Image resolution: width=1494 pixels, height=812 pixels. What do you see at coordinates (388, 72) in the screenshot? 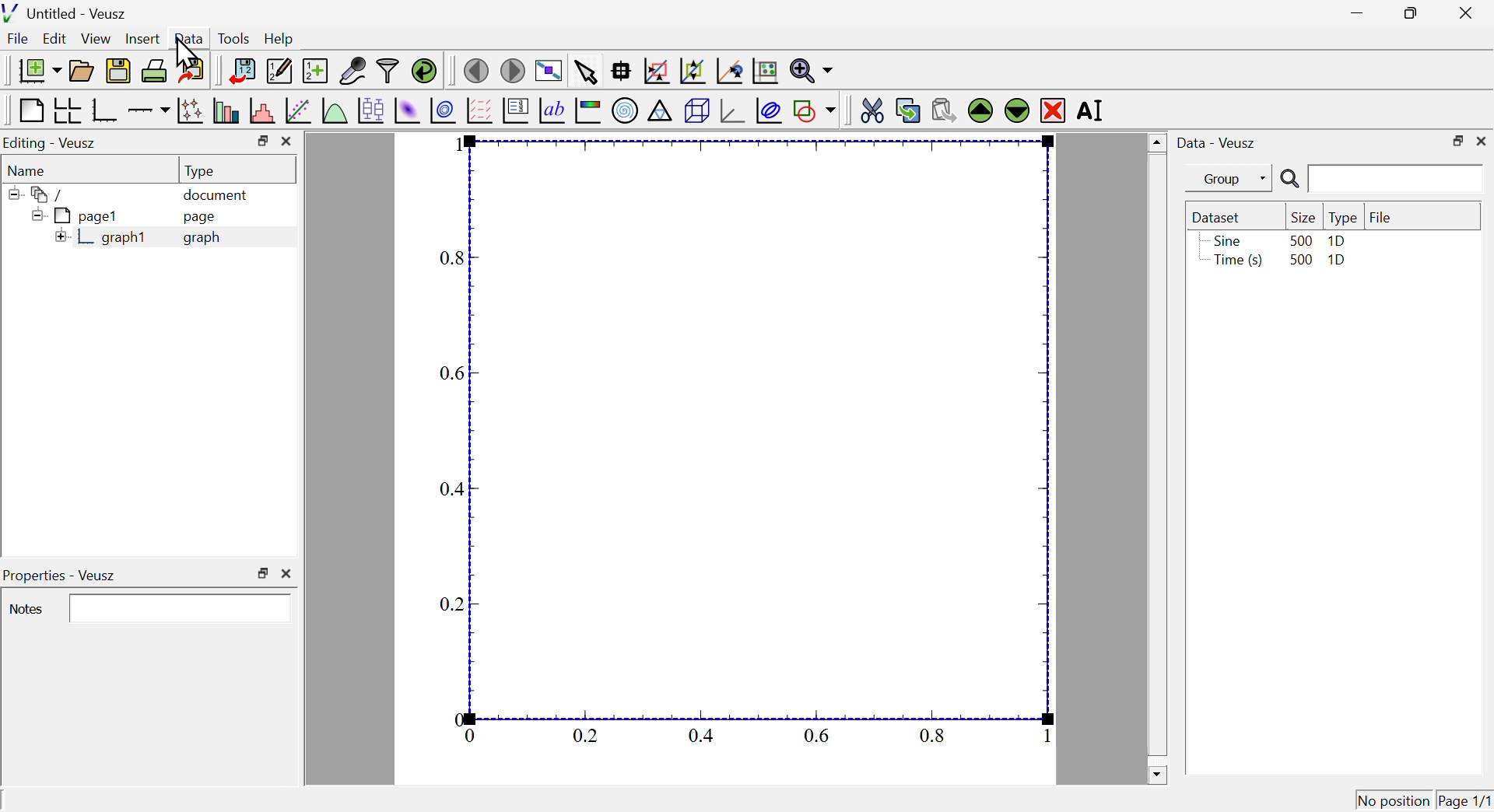
I see `filter data` at bounding box center [388, 72].